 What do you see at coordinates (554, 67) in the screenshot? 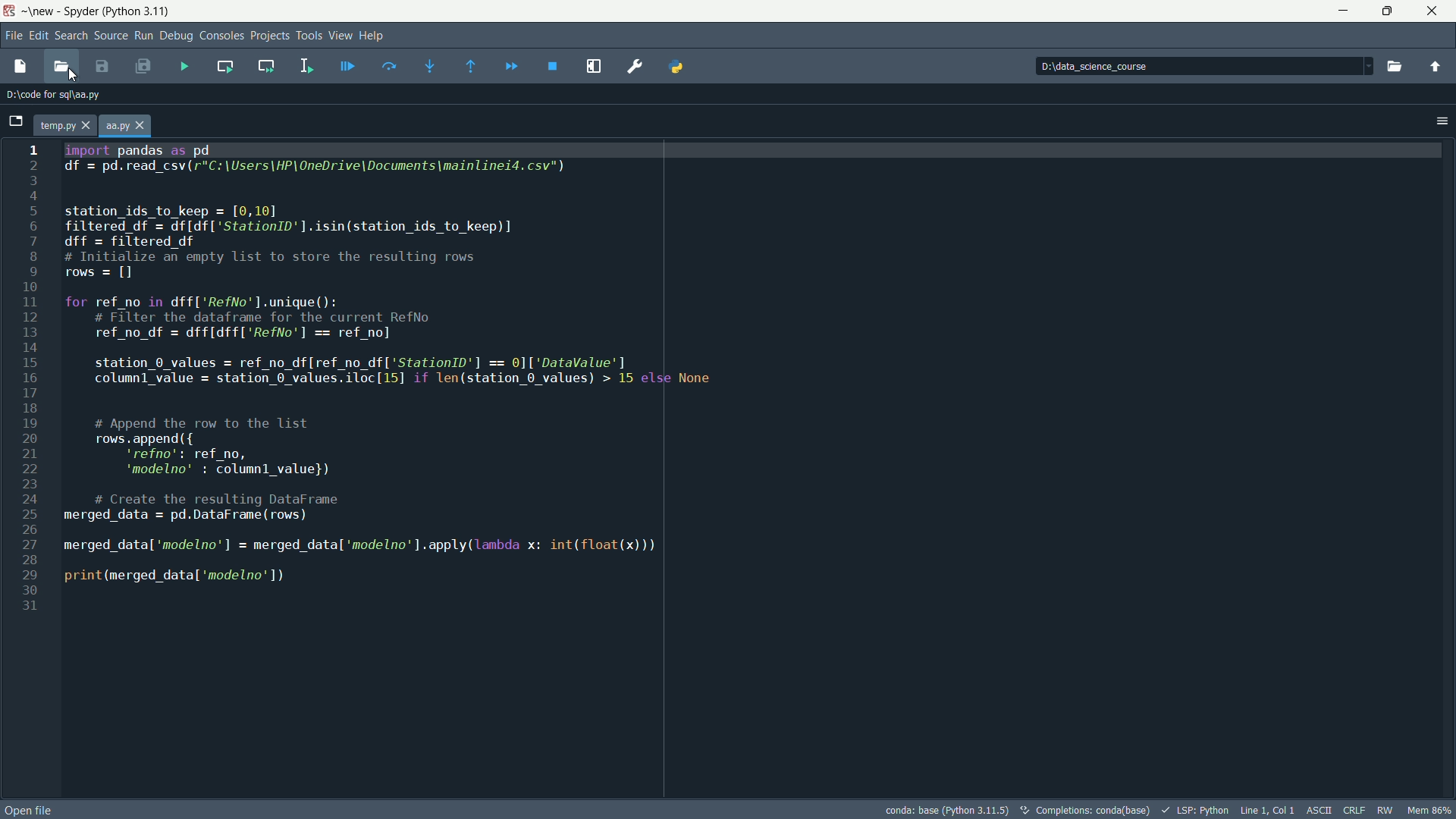
I see `stop debugging` at bounding box center [554, 67].